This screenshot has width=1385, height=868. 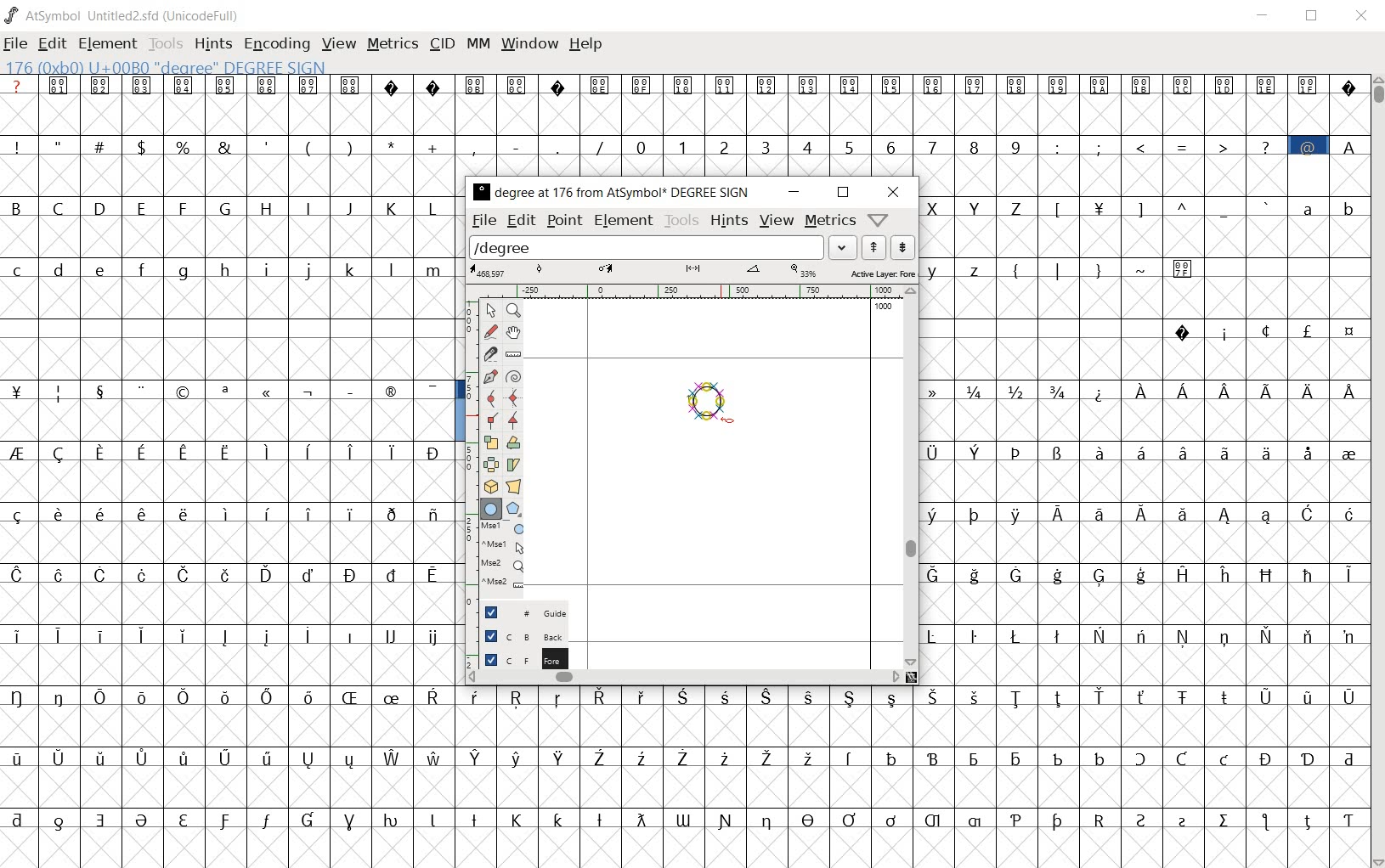 What do you see at coordinates (233, 633) in the screenshot?
I see `special letters` at bounding box center [233, 633].